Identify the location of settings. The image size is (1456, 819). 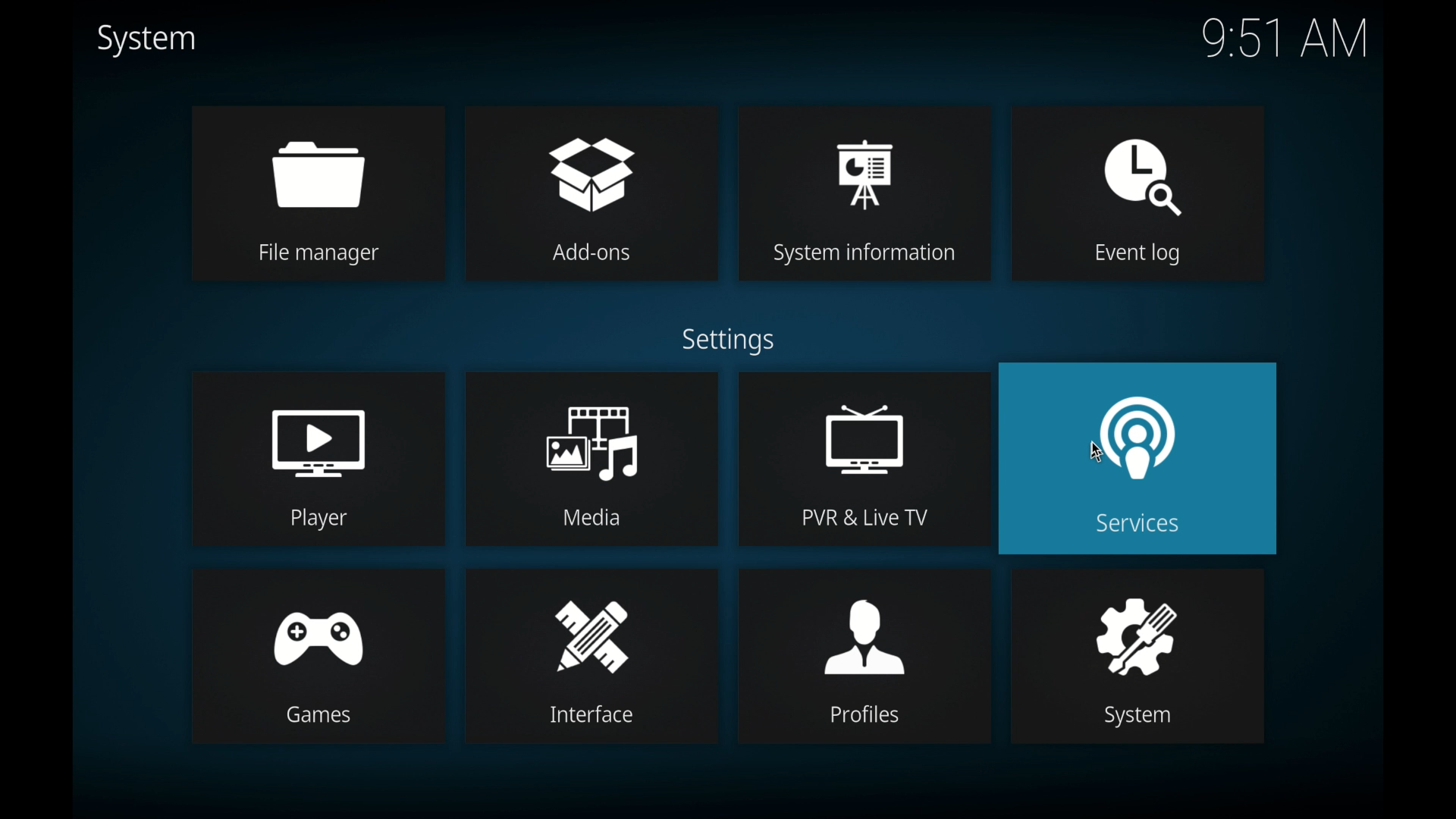
(728, 342).